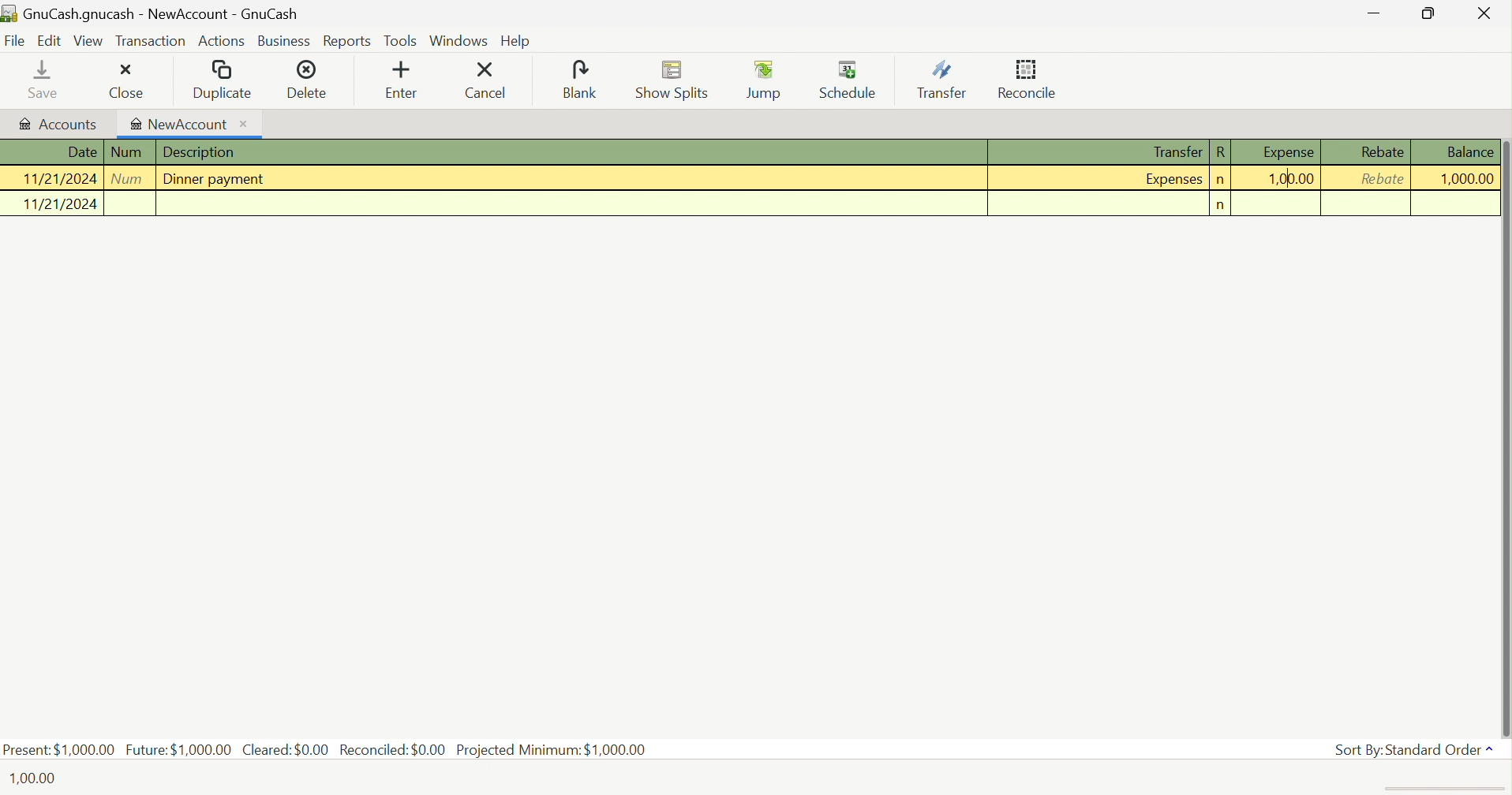 This screenshot has width=1512, height=795. What do you see at coordinates (401, 40) in the screenshot?
I see `Tools` at bounding box center [401, 40].